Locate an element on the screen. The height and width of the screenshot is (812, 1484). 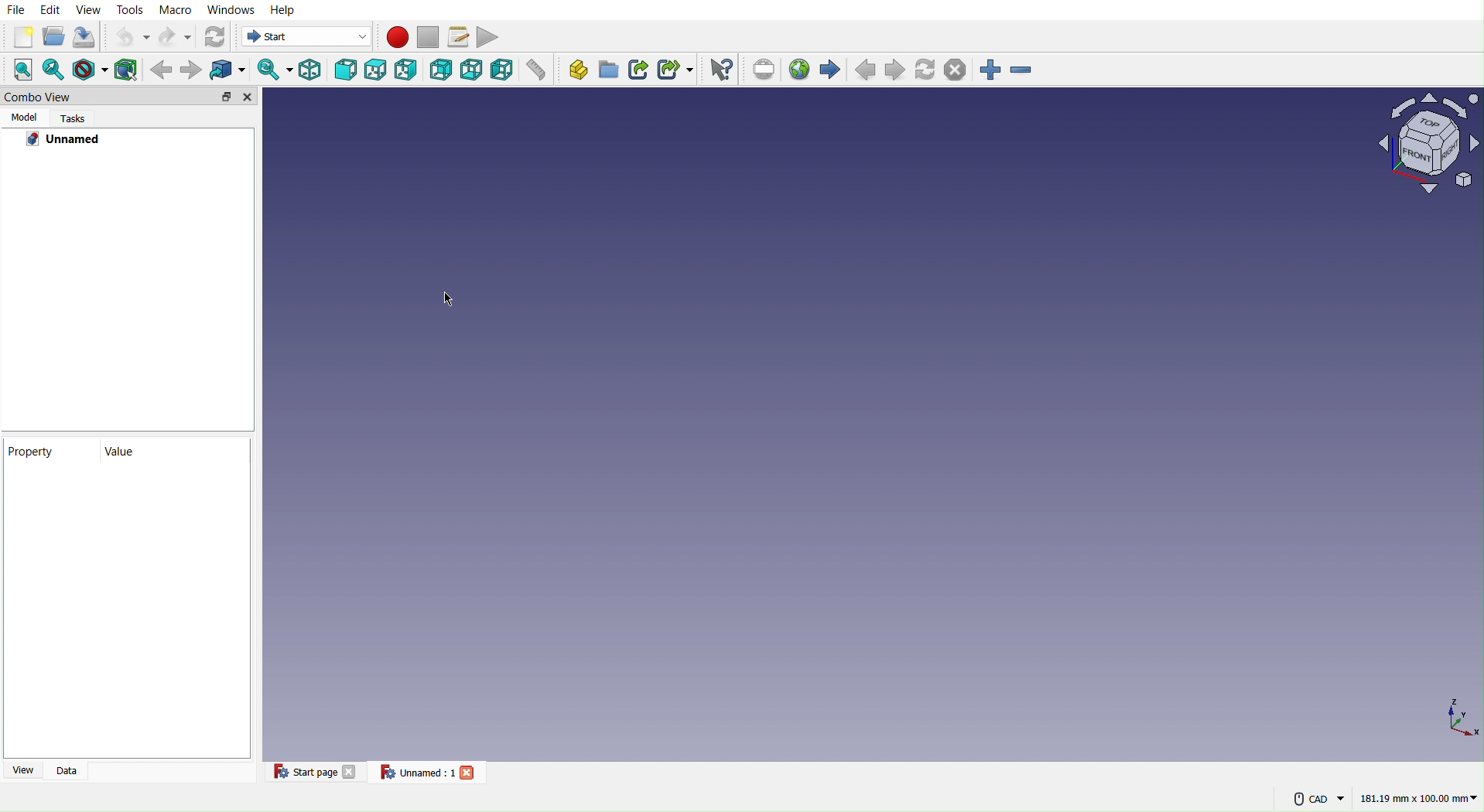
Value is located at coordinates (125, 453).